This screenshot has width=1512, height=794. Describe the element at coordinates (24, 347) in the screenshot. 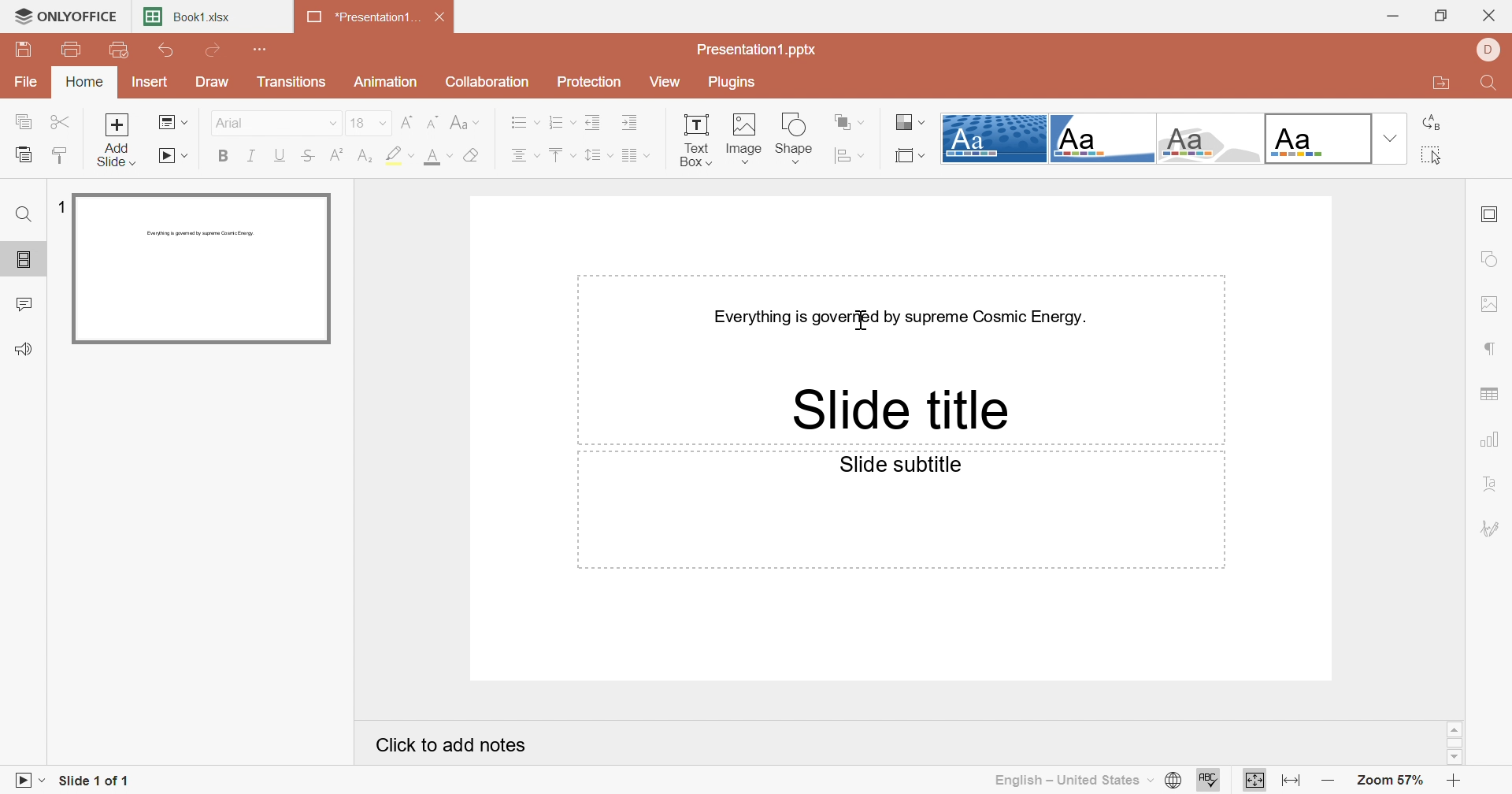

I see `Feedback & Support` at that location.